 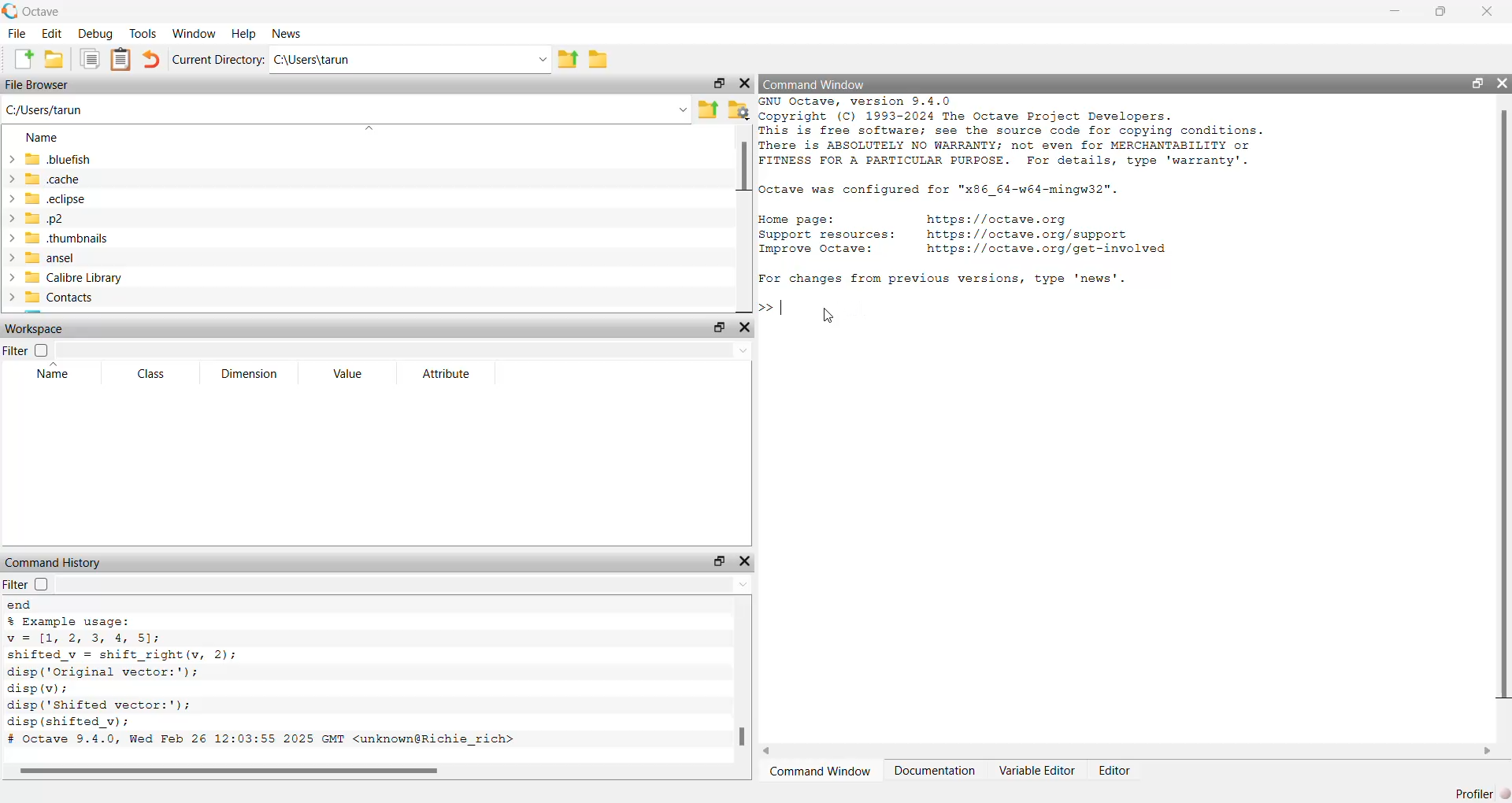 I want to click on scrollbar, so click(x=1499, y=409).